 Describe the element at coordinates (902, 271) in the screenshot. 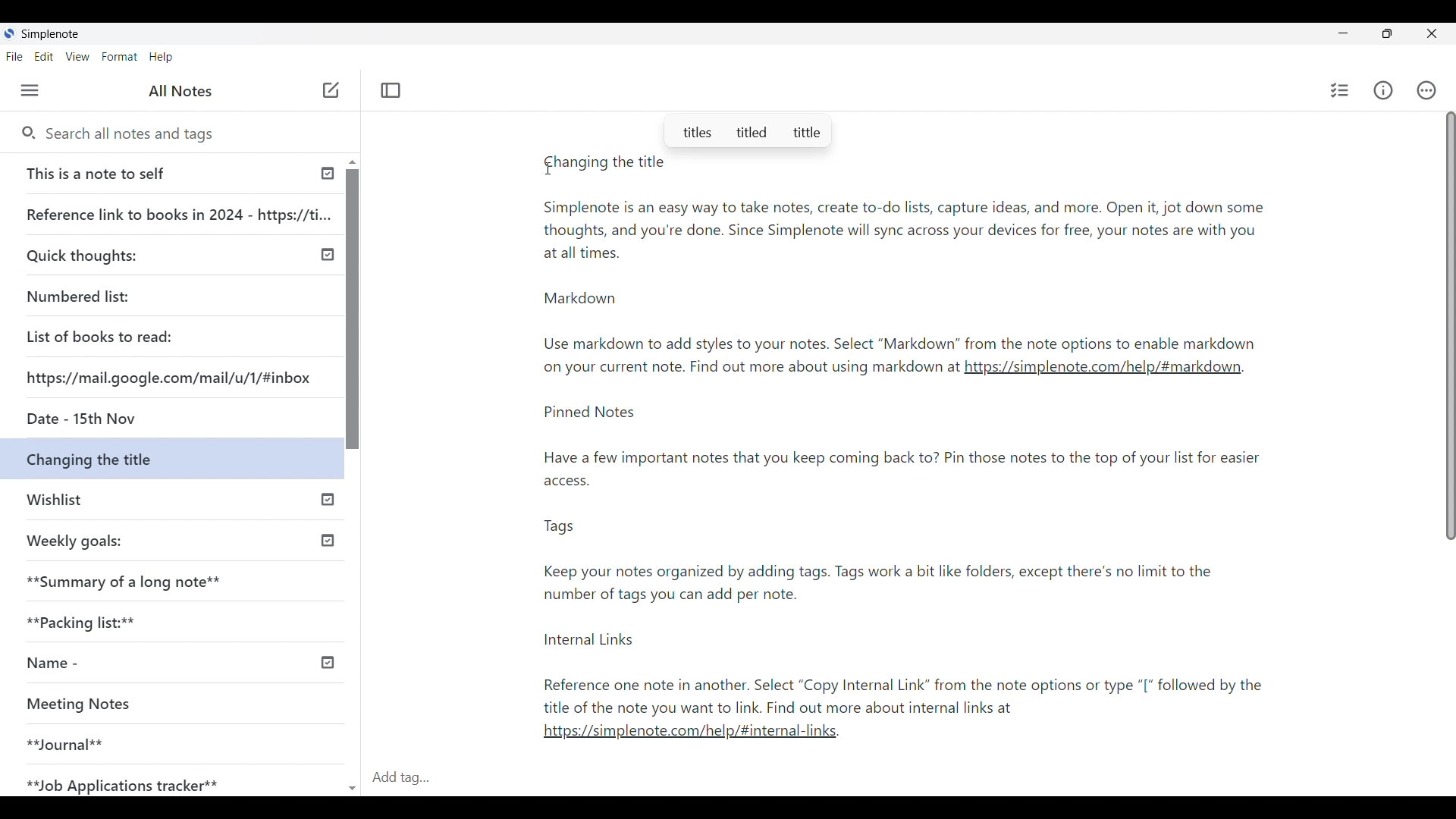

I see `Current note text` at that location.